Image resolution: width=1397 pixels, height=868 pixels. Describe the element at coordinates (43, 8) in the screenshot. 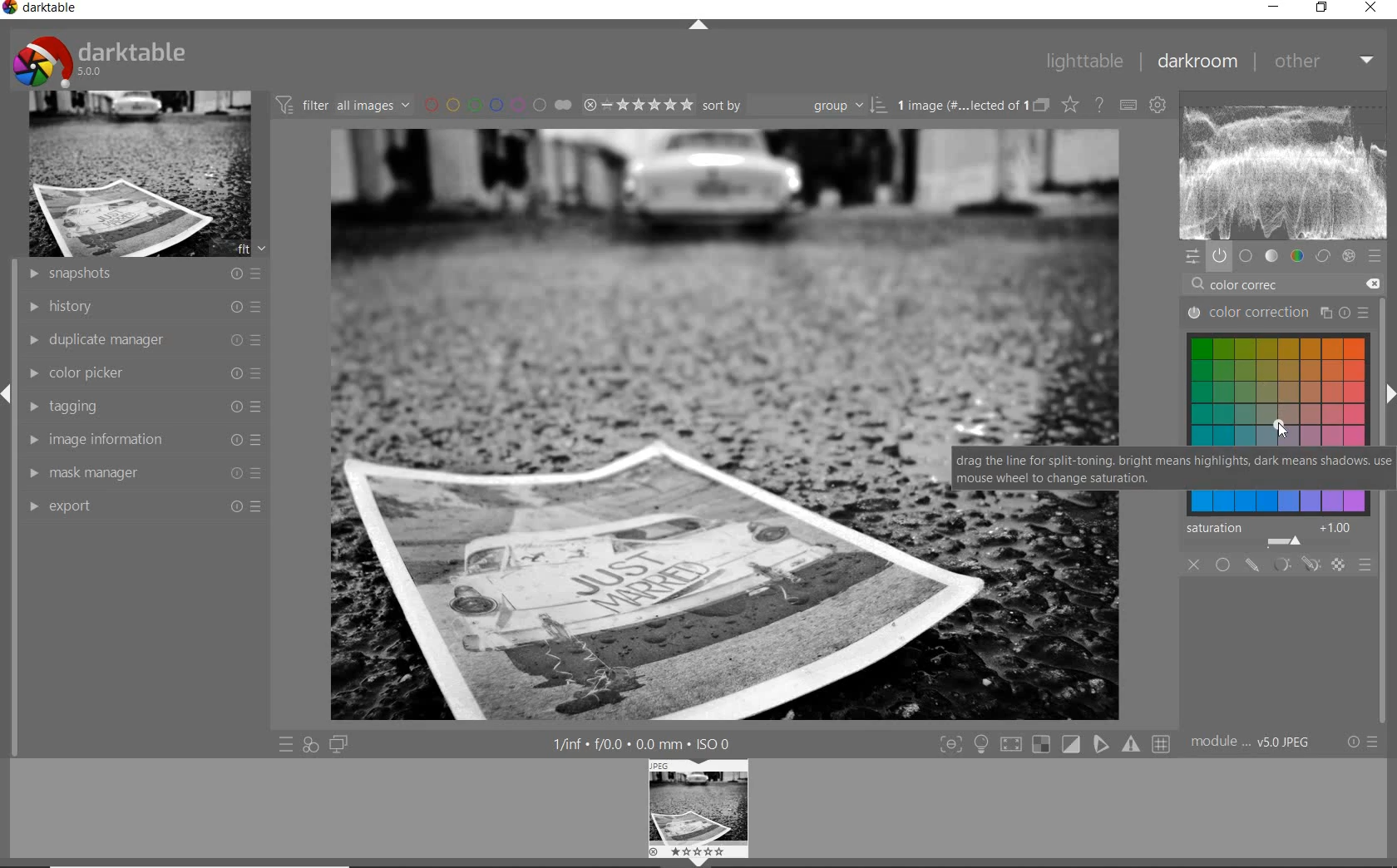

I see `darktable` at that location.